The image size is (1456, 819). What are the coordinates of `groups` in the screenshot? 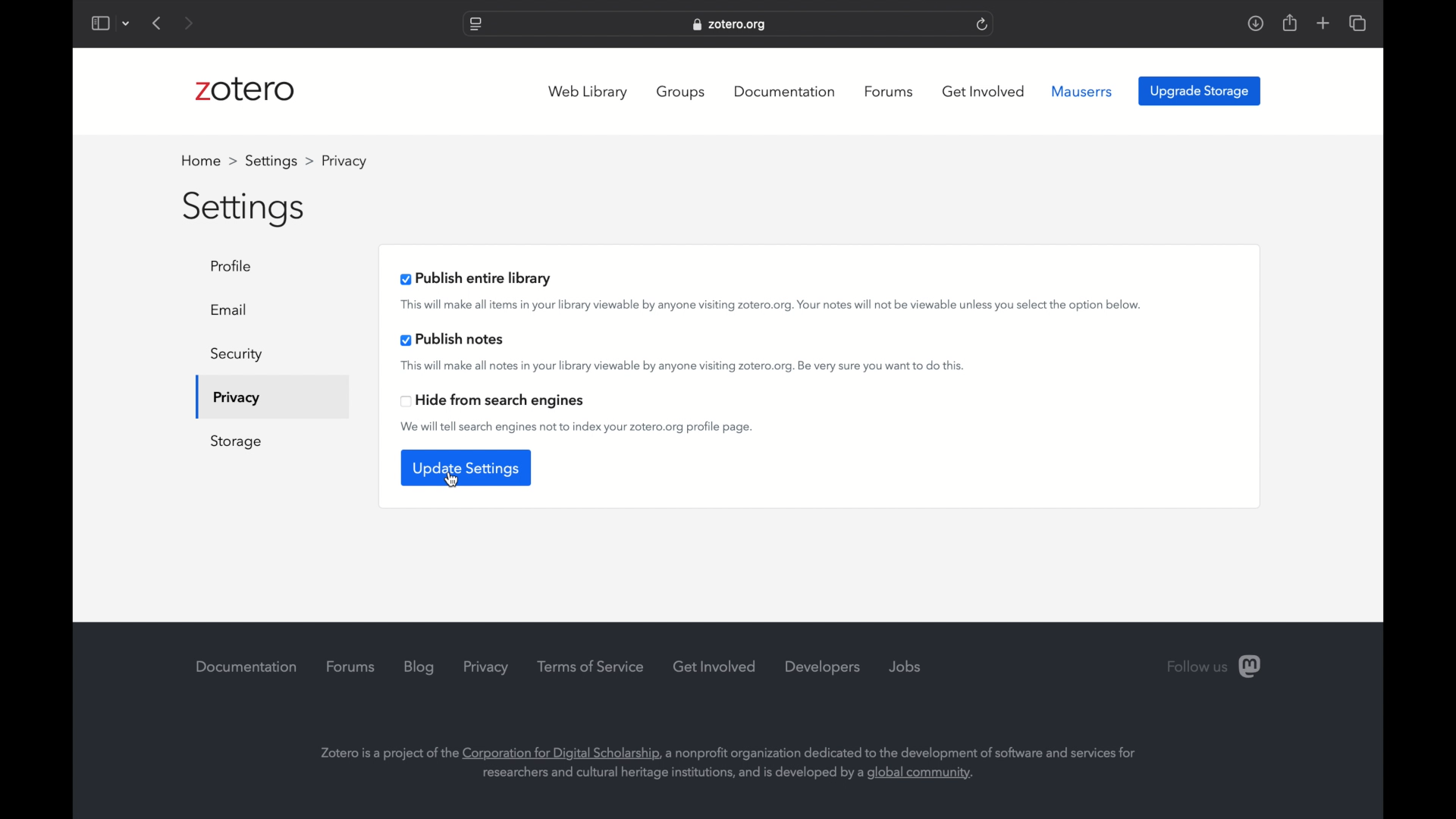 It's located at (682, 93).